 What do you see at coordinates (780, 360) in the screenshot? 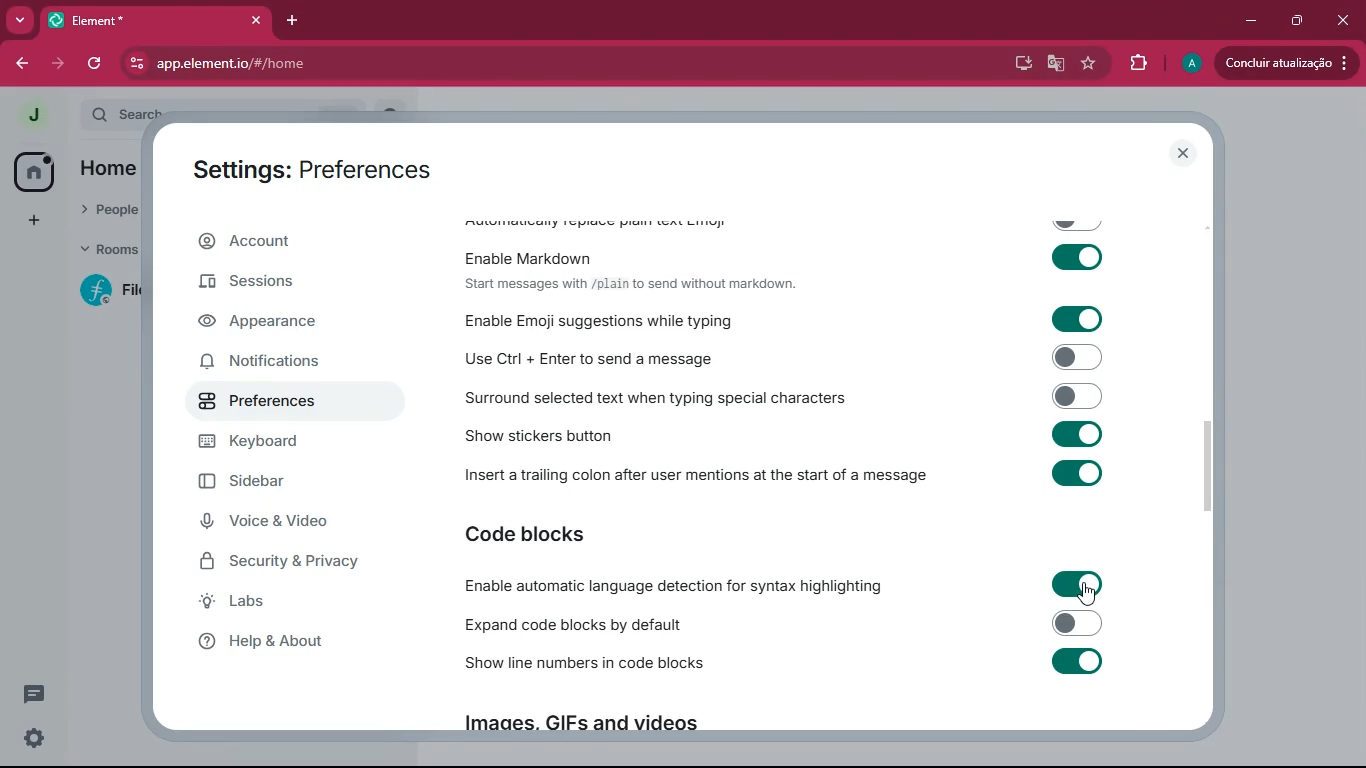
I see `Use Ctrl + Enter to send a message` at bounding box center [780, 360].